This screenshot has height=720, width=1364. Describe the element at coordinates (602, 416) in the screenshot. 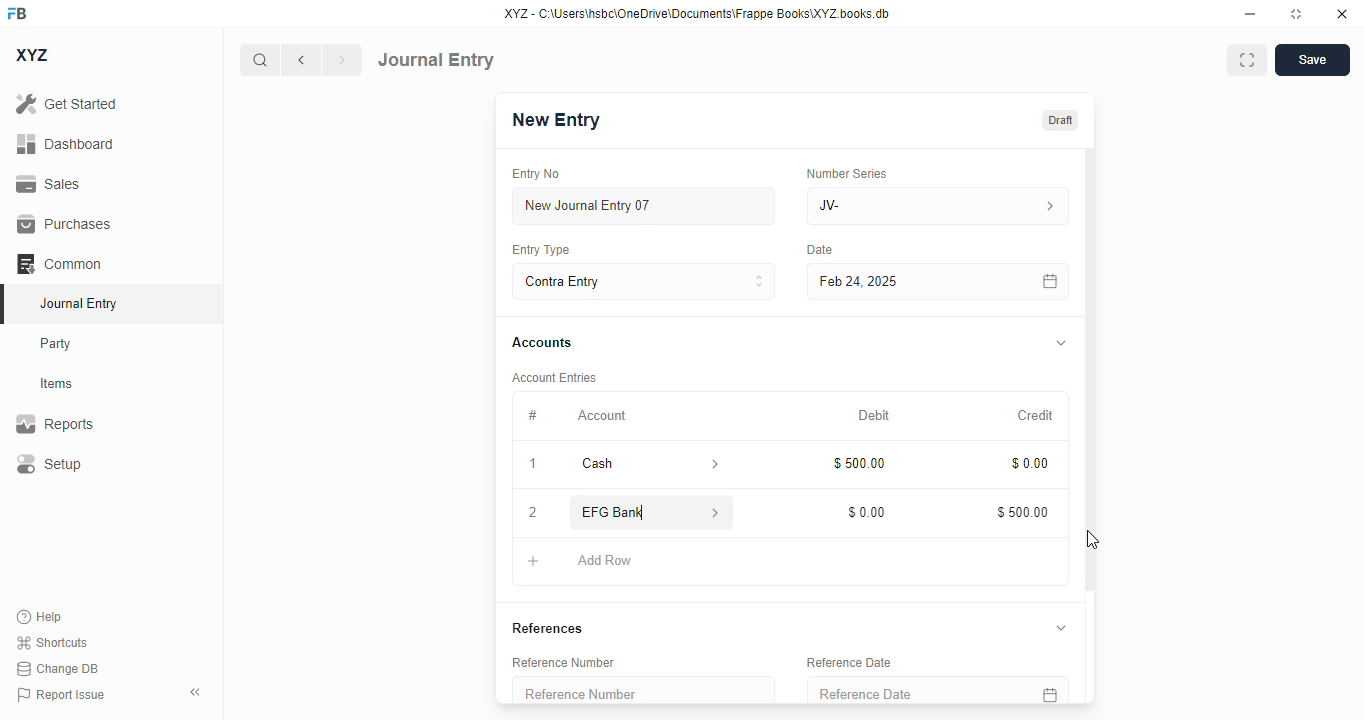

I see `account` at that location.